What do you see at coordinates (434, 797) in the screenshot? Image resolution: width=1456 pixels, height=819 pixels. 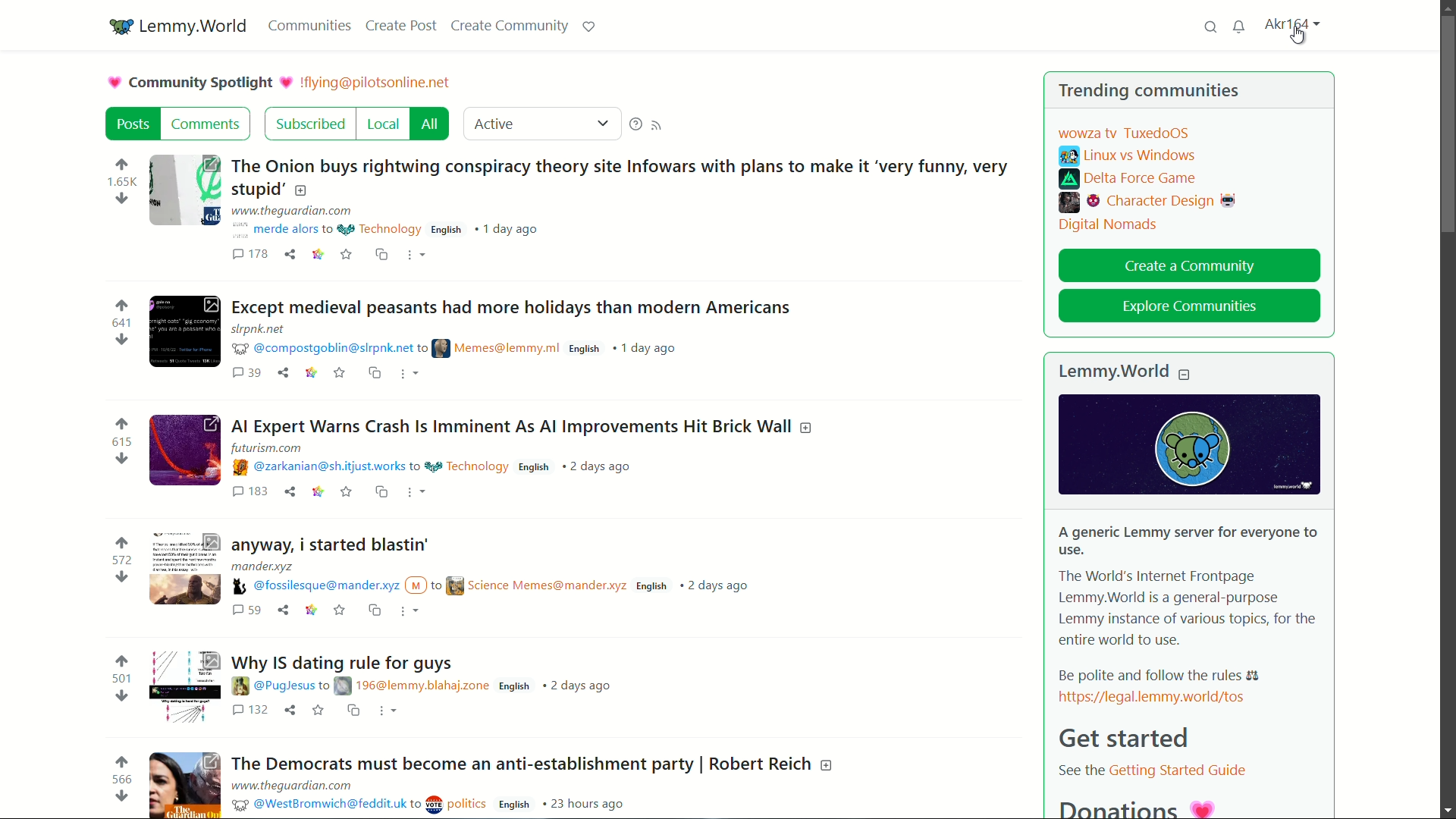 I see `post details` at bounding box center [434, 797].